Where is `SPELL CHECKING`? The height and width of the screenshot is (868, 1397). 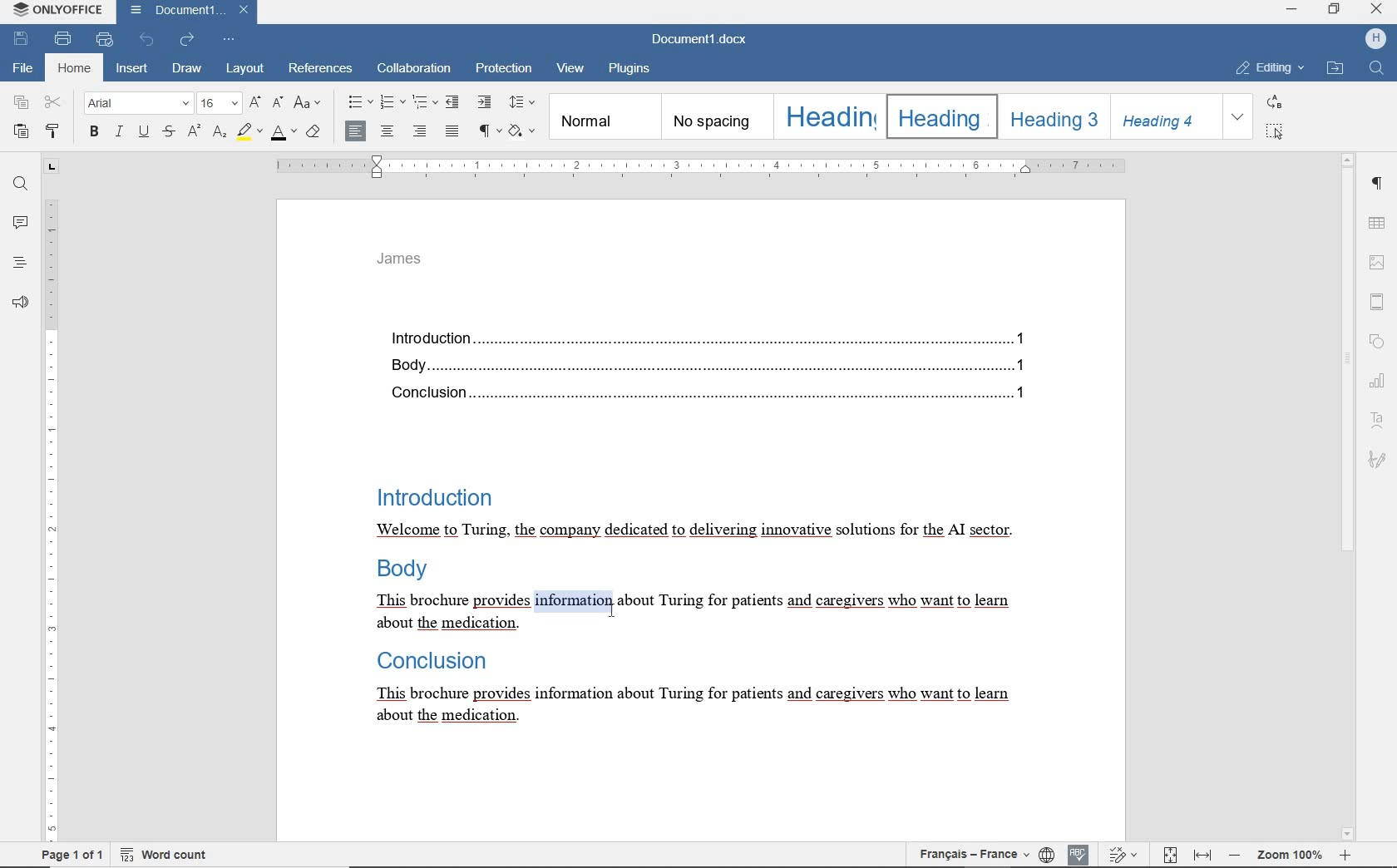 SPELL CHECKING is located at coordinates (1078, 854).